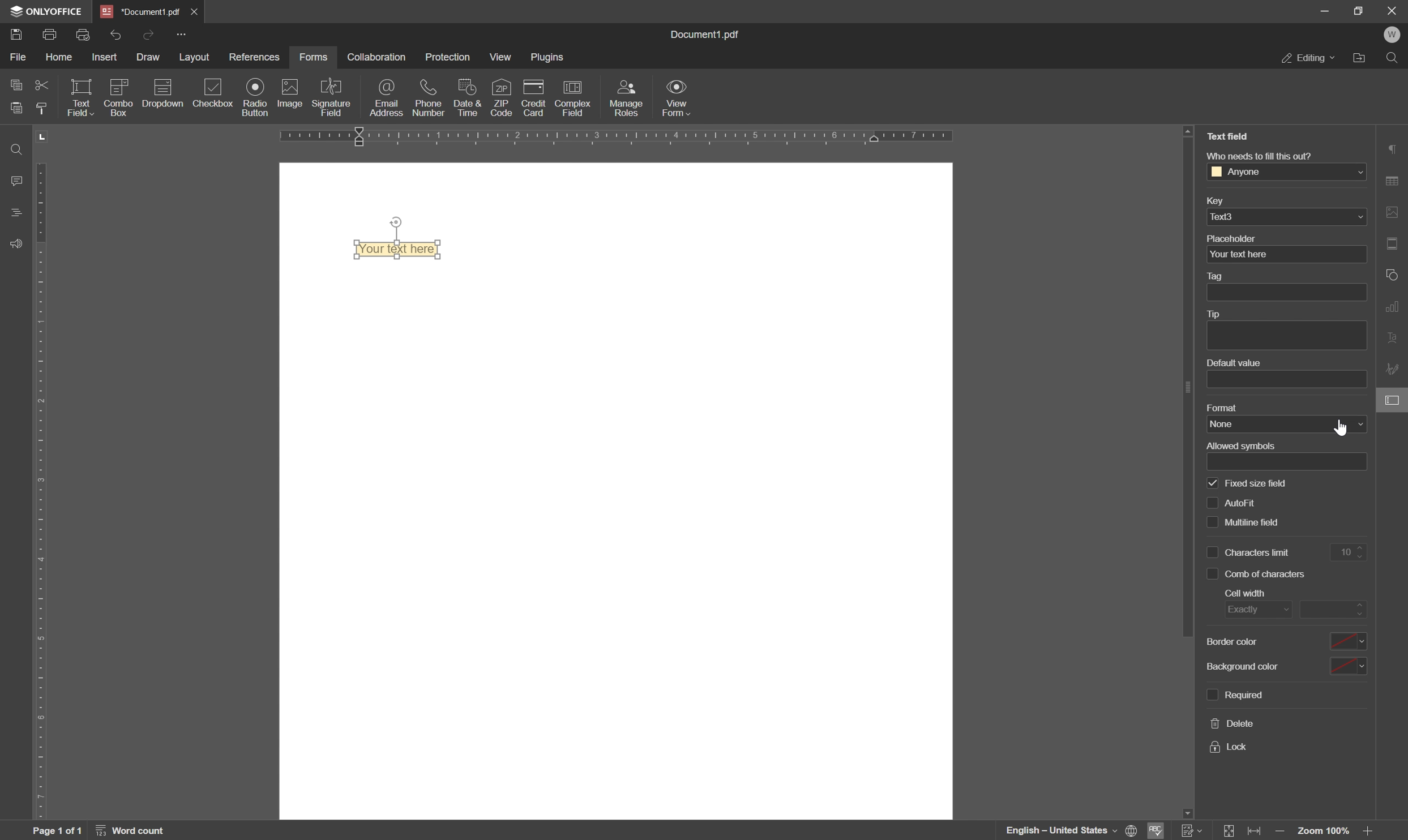 This screenshot has height=840, width=1408. Describe the element at coordinates (1357, 173) in the screenshot. I see `drop down` at that location.